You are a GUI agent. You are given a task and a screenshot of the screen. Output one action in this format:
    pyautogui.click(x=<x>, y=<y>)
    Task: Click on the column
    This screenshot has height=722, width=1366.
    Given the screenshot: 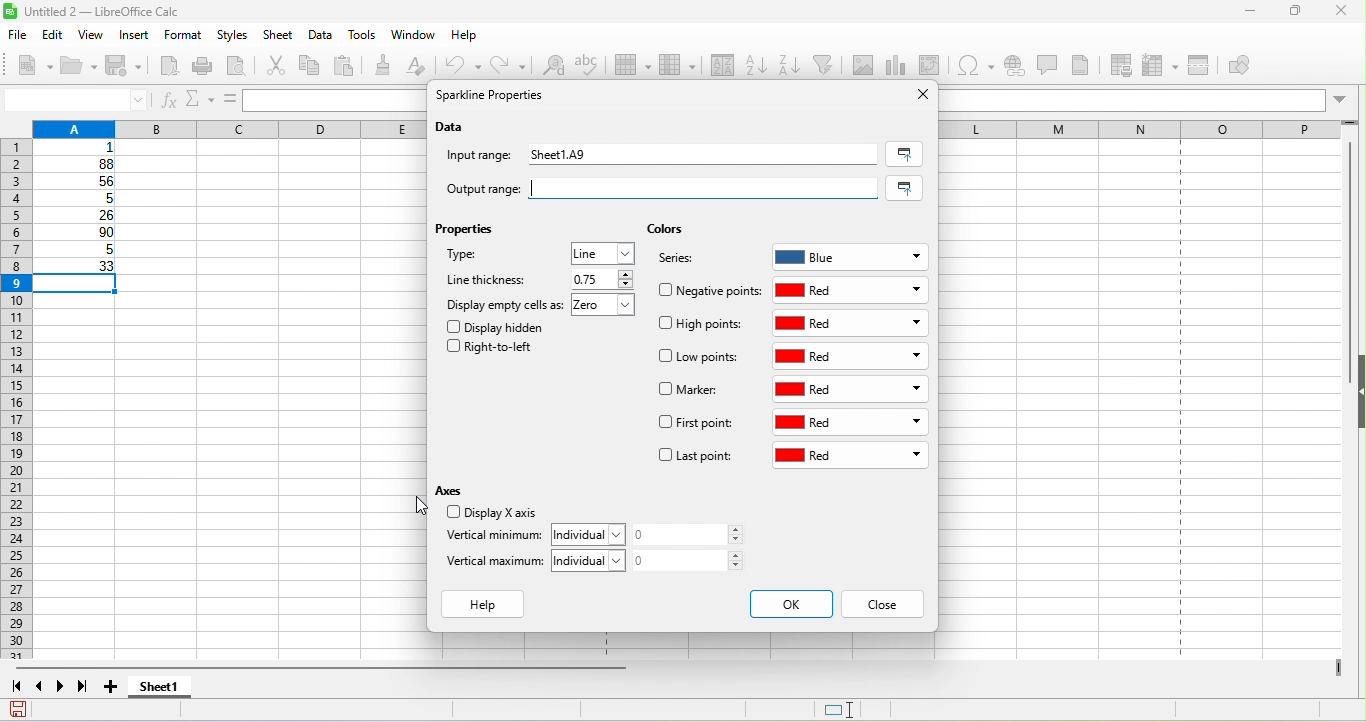 What is the action you would take?
    pyautogui.click(x=676, y=67)
    